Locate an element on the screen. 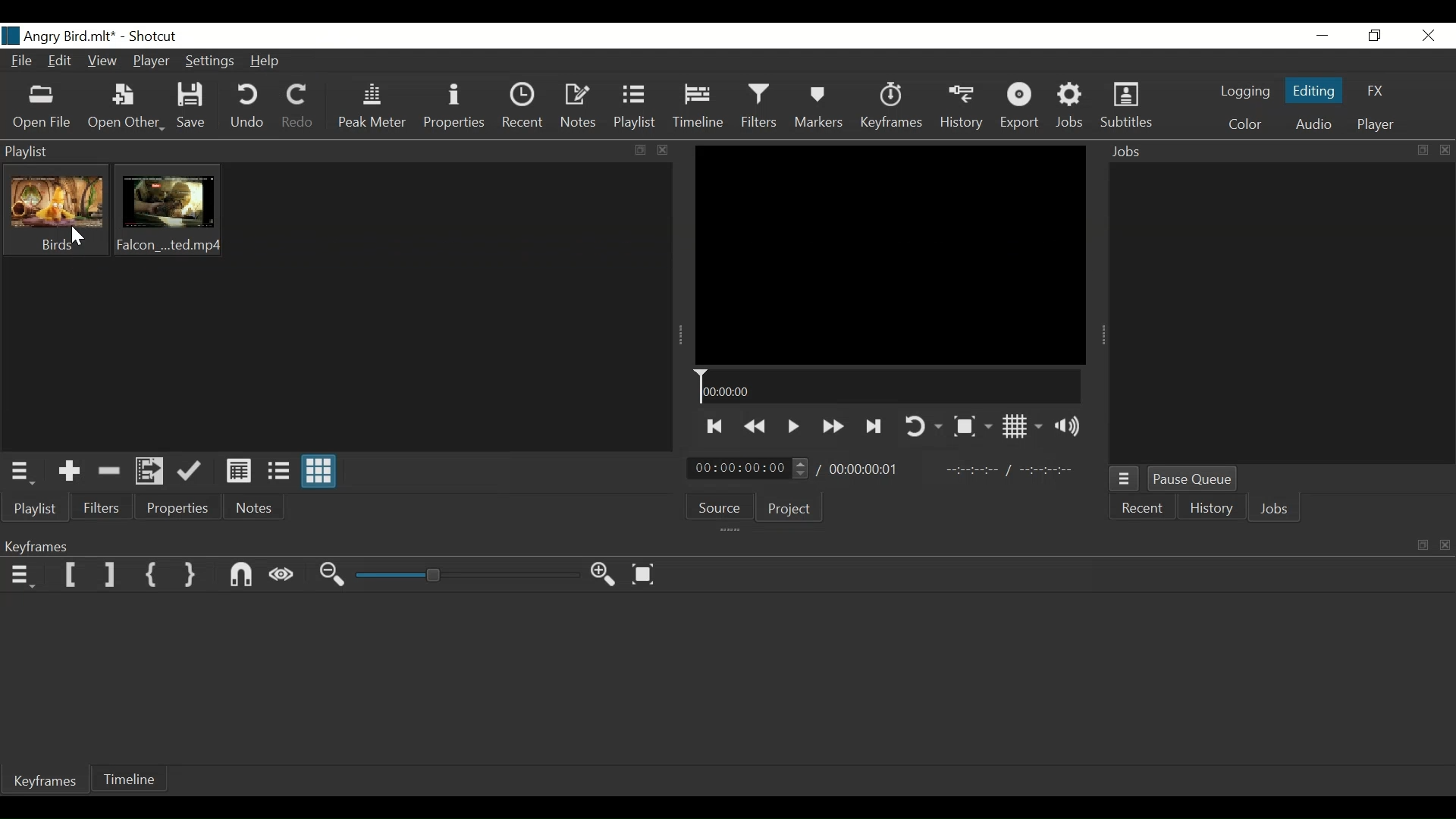 The image size is (1456, 819). Total duration is located at coordinates (866, 469).